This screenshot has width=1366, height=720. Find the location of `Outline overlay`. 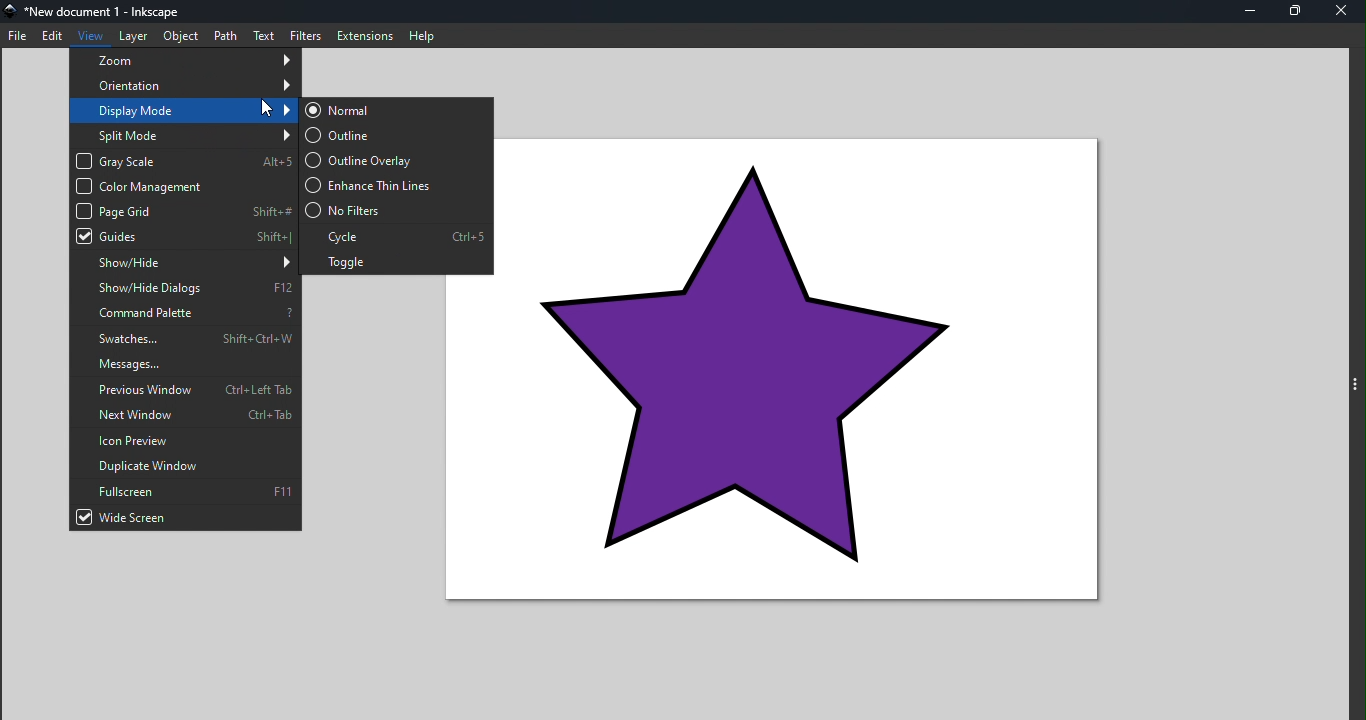

Outline overlay is located at coordinates (392, 161).